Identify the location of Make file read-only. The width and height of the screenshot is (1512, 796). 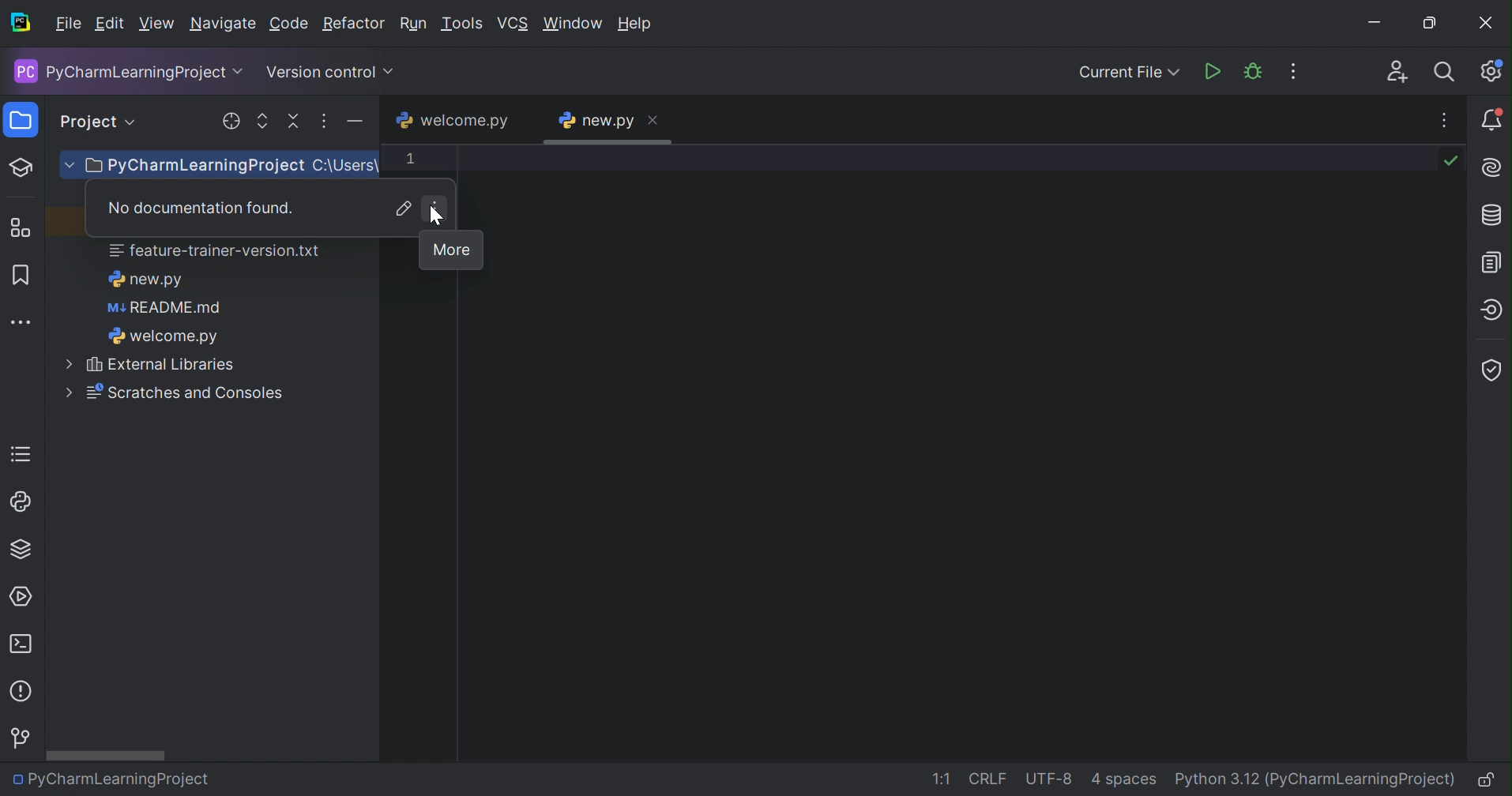
(1491, 782).